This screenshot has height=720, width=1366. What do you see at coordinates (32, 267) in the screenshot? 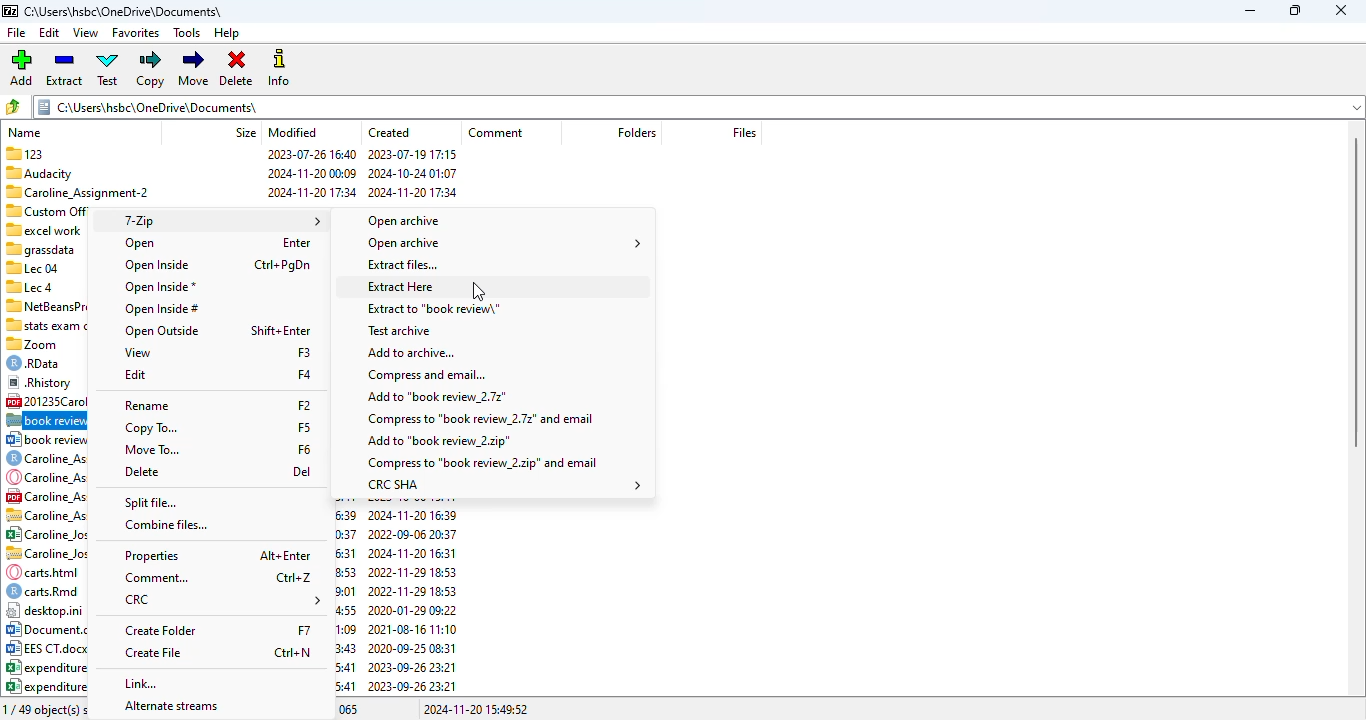
I see `Lec 04` at bounding box center [32, 267].